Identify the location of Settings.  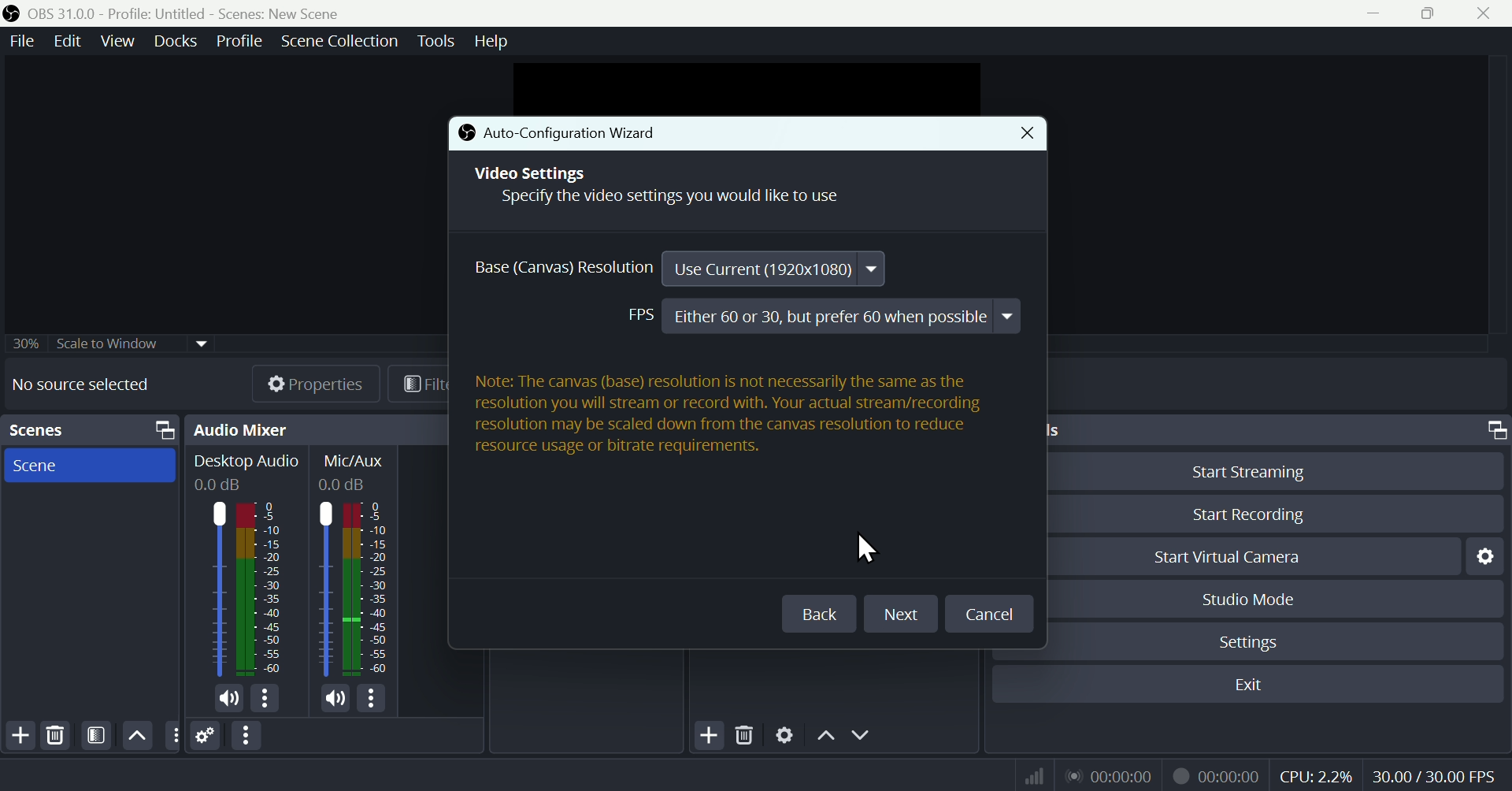
(206, 735).